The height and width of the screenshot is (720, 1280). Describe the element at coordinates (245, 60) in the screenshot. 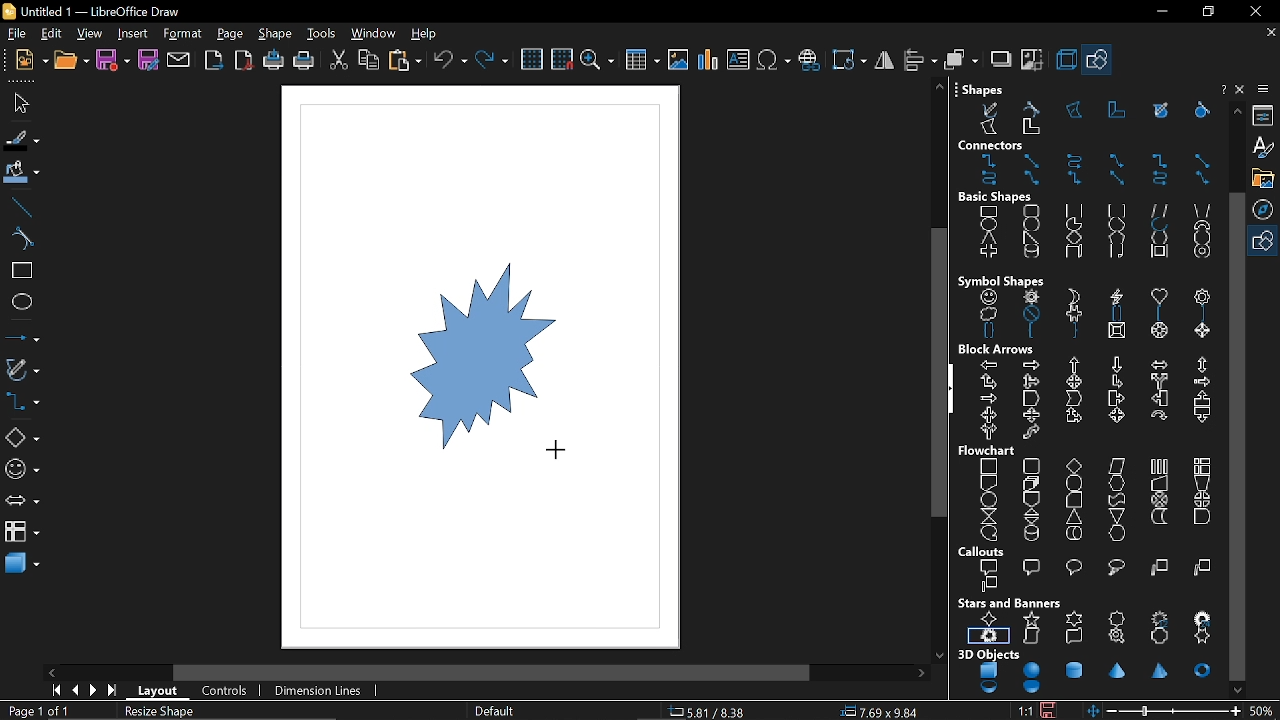

I see `export as pdf` at that location.